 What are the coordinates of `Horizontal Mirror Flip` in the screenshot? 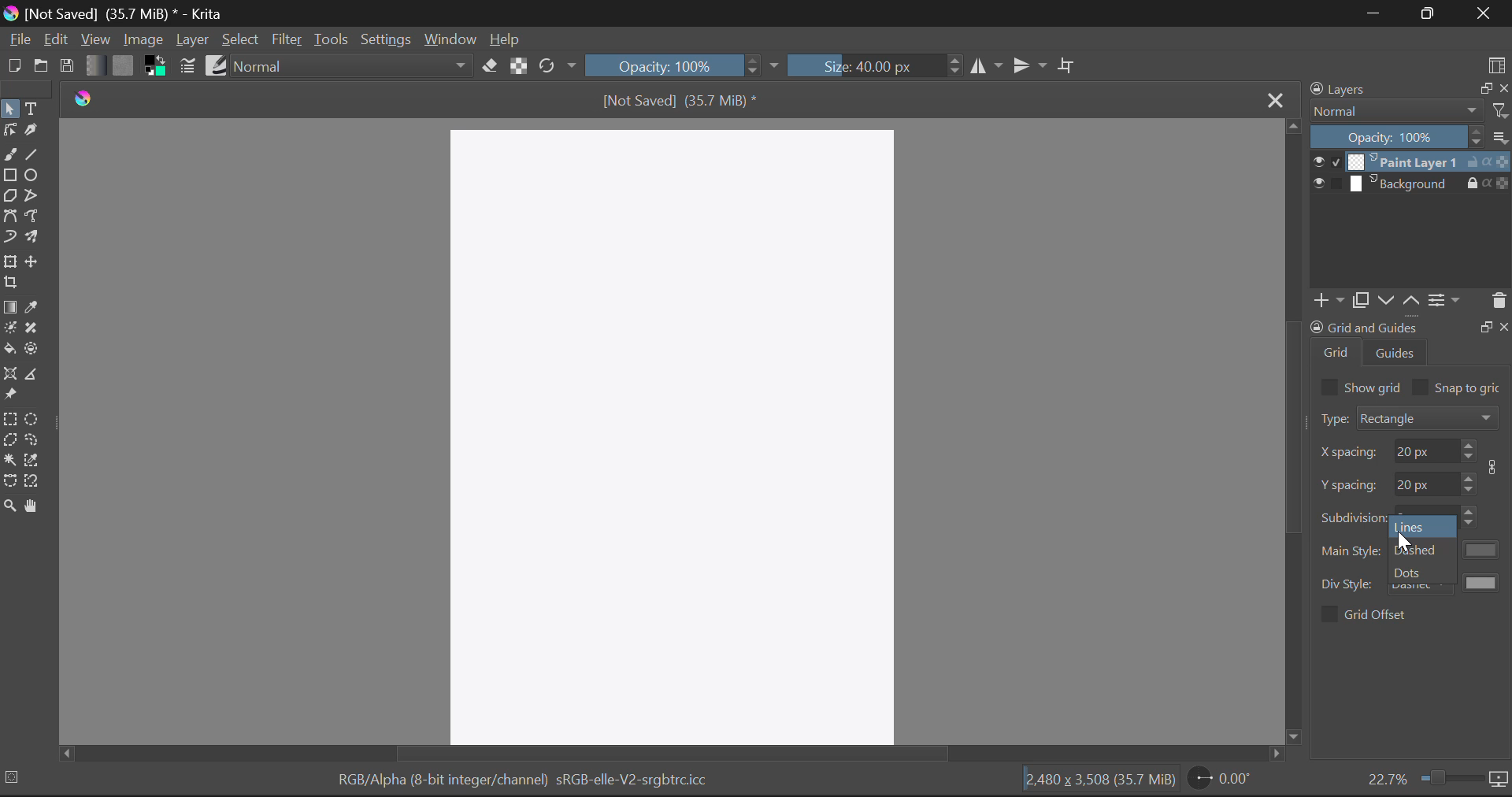 It's located at (1033, 66).